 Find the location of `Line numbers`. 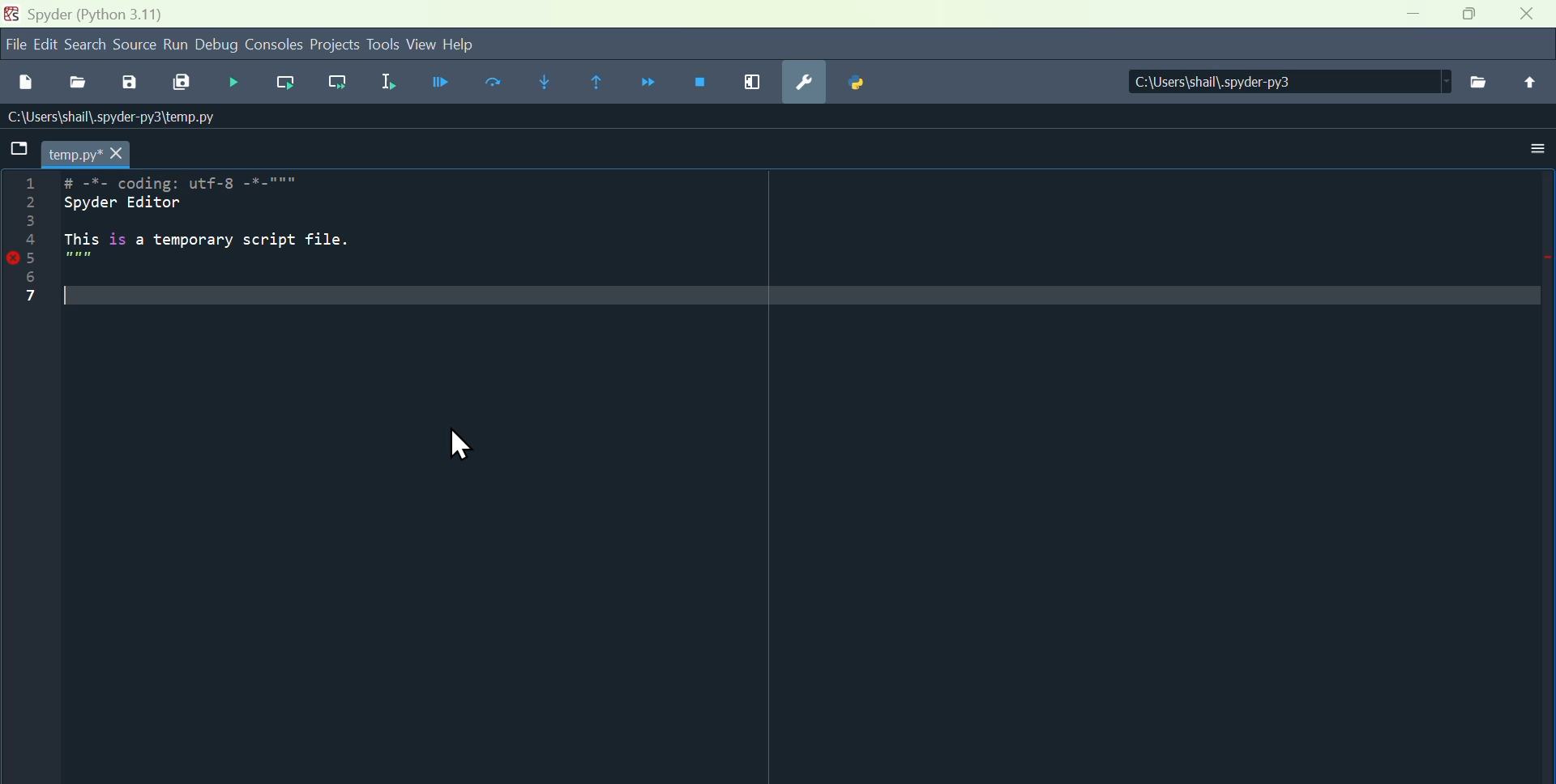

Line numbers is located at coordinates (33, 237).